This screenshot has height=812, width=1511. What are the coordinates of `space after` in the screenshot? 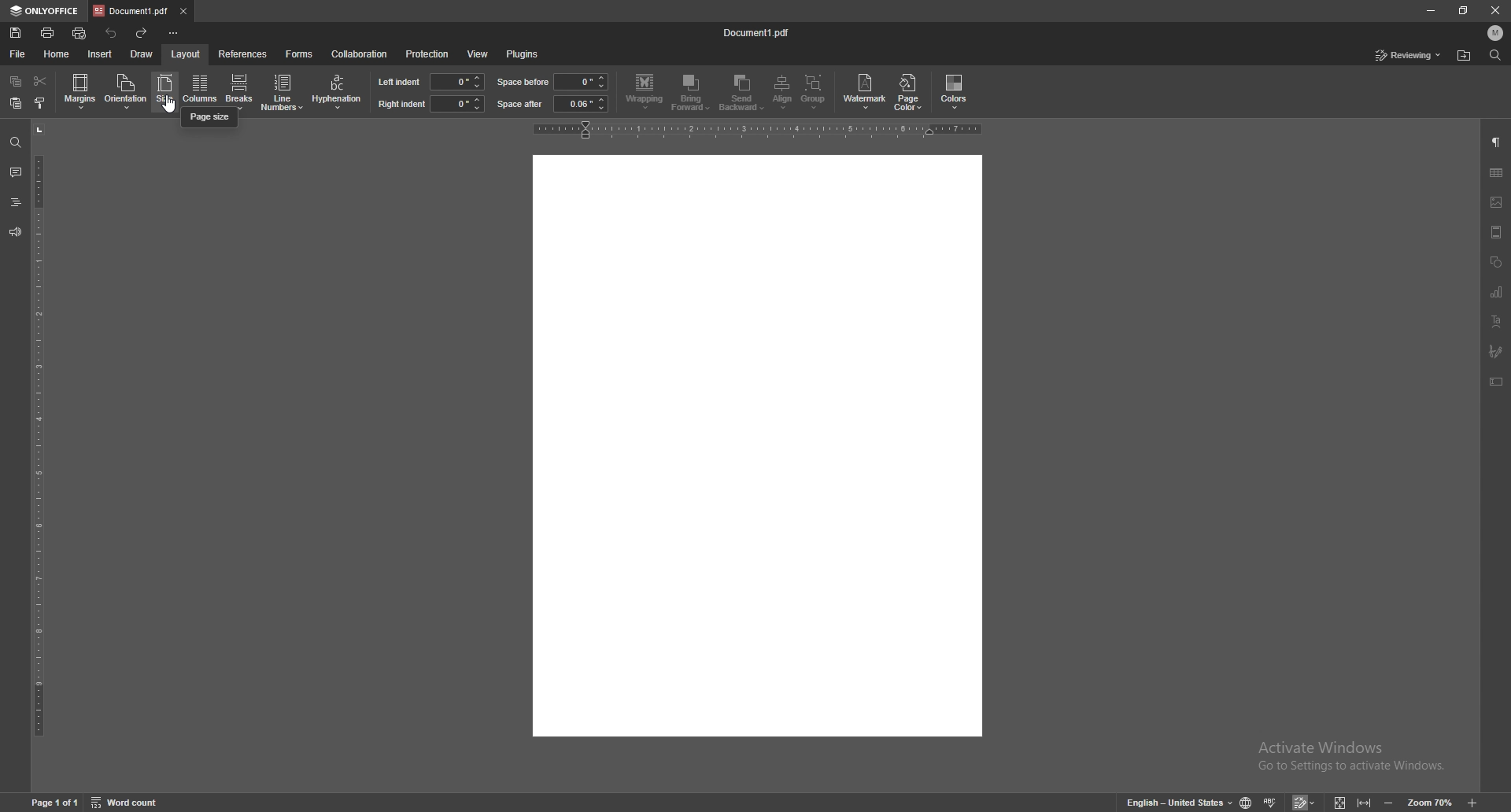 It's located at (520, 104).